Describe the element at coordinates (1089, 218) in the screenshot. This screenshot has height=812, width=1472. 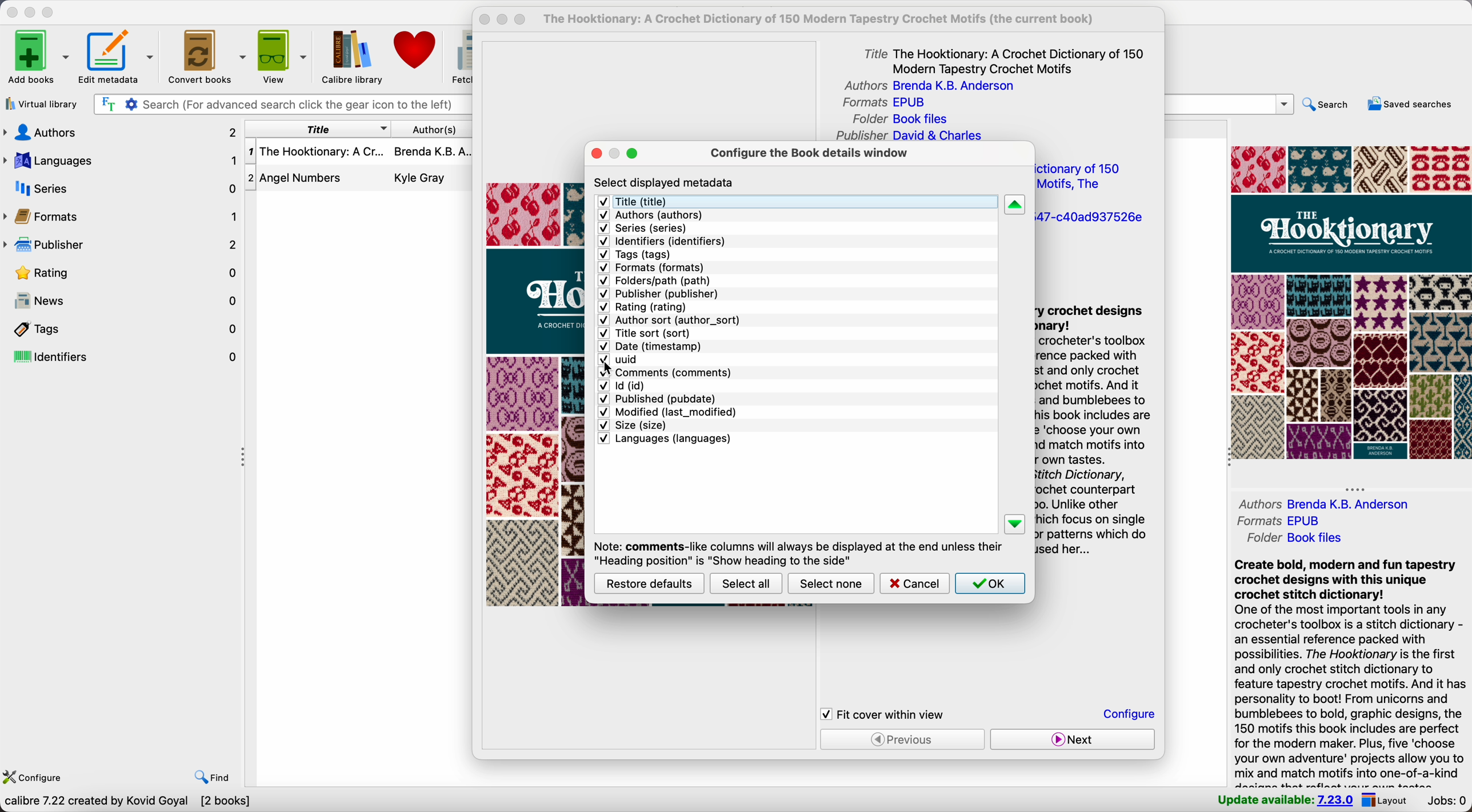
I see `uuid` at that location.